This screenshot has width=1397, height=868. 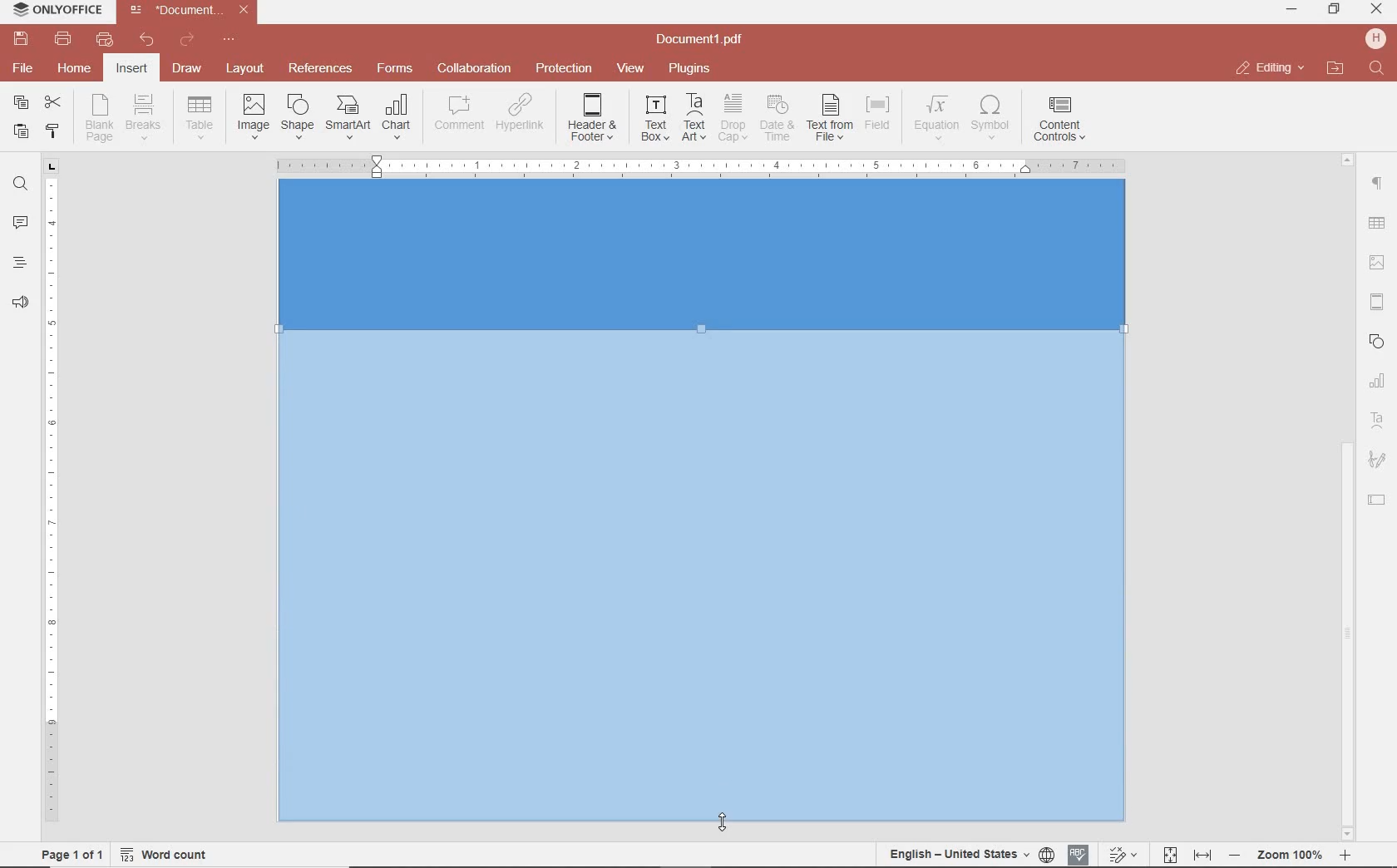 What do you see at coordinates (1290, 856) in the screenshot?
I see `` at bounding box center [1290, 856].